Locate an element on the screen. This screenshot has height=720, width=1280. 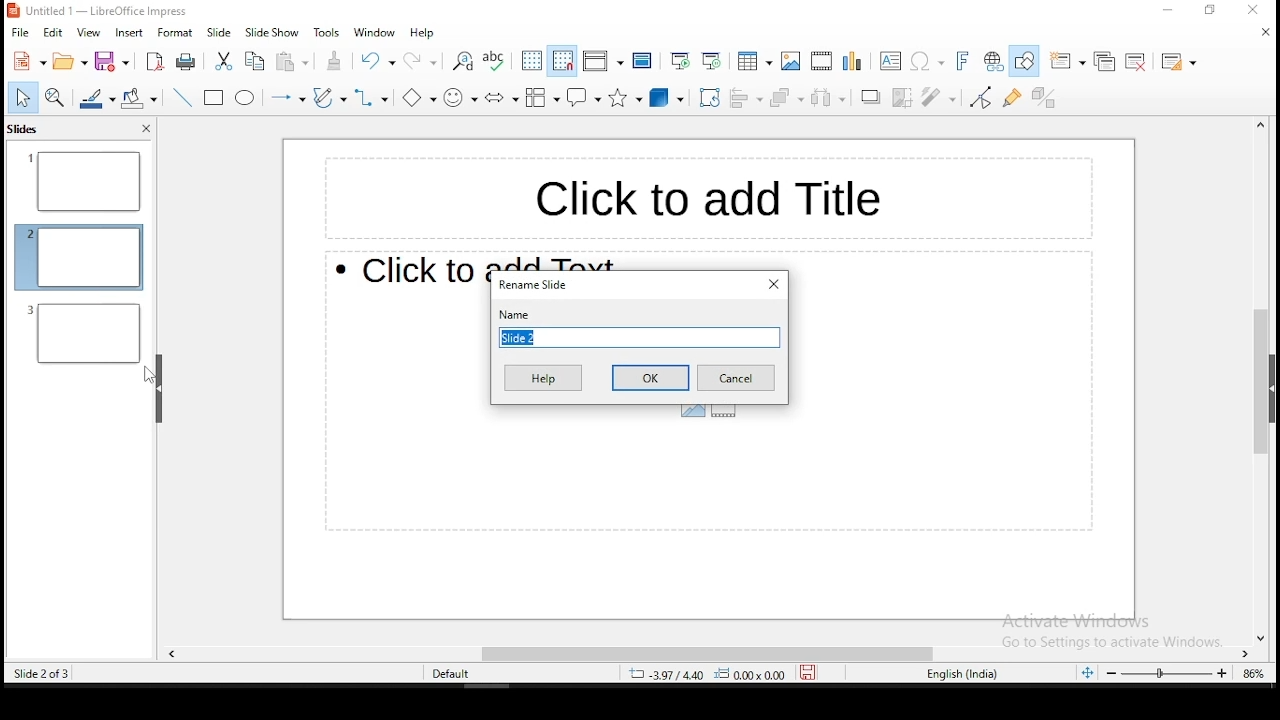
display grid is located at coordinates (532, 62).